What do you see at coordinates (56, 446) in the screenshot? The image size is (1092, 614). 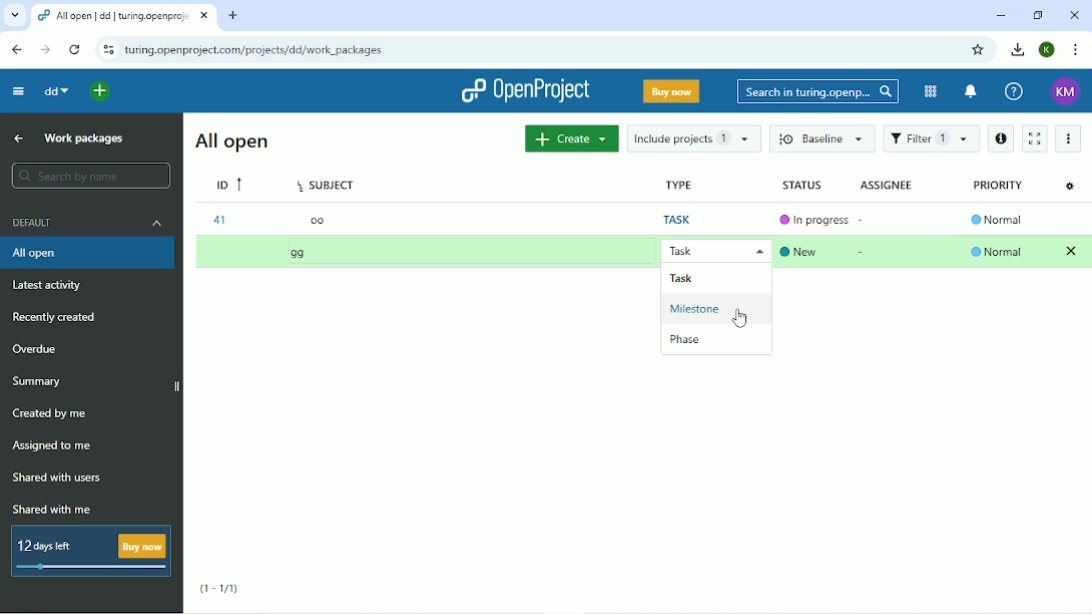 I see `Assigned to me` at bounding box center [56, 446].